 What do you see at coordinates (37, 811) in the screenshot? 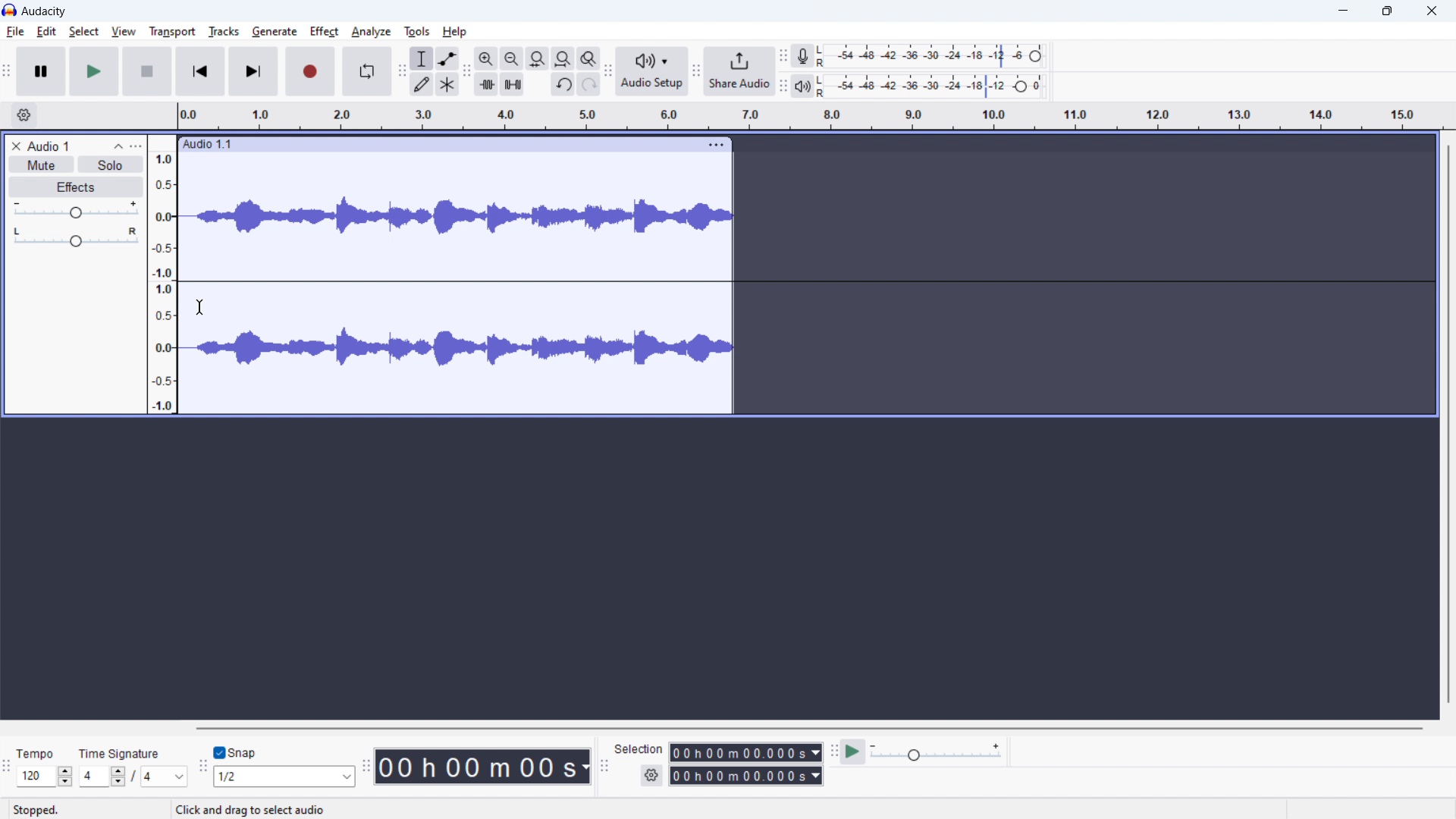
I see `stopped` at bounding box center [37, 811].